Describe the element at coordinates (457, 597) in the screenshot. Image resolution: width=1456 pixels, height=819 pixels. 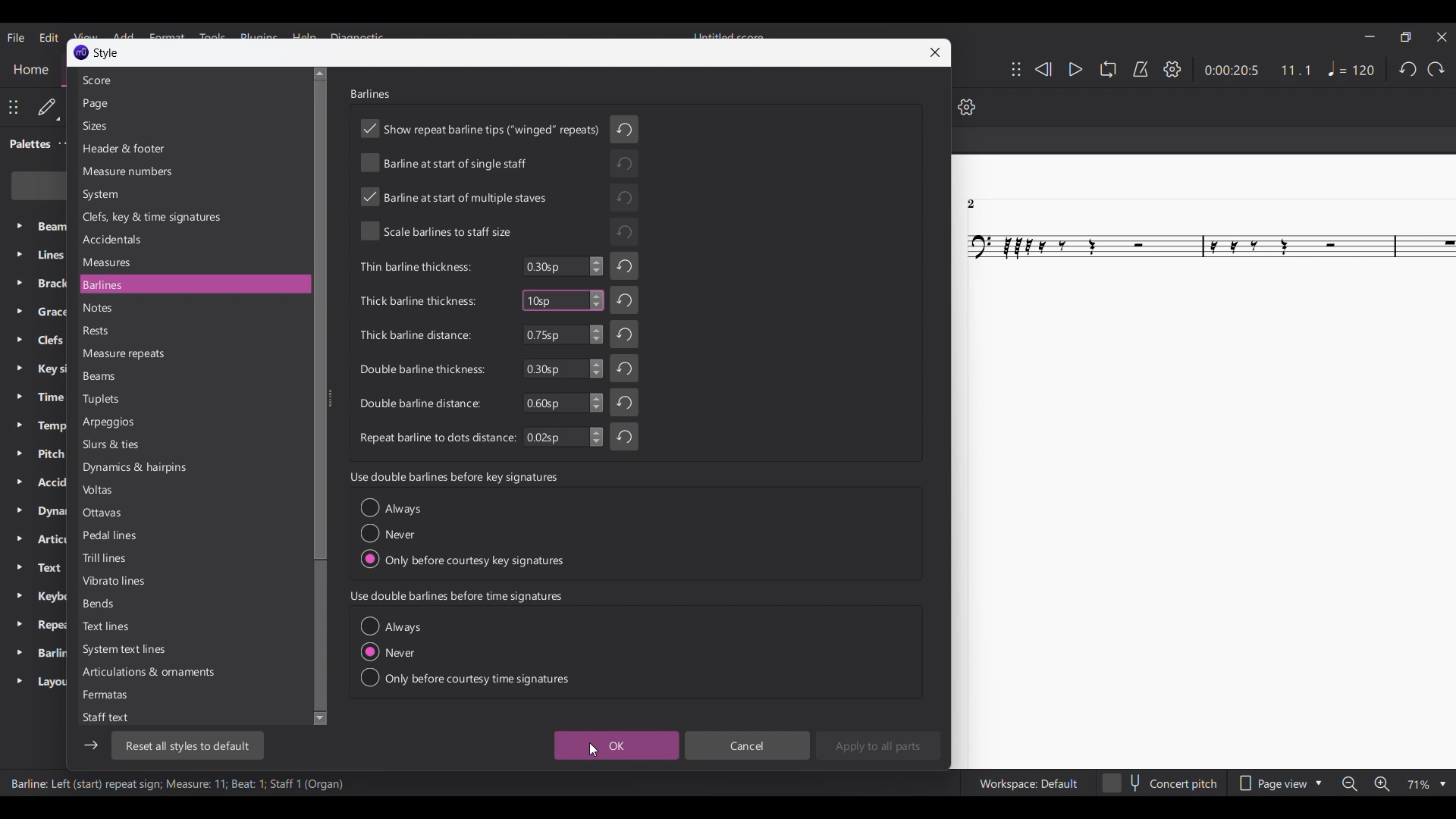
I see `Section title` at that location.